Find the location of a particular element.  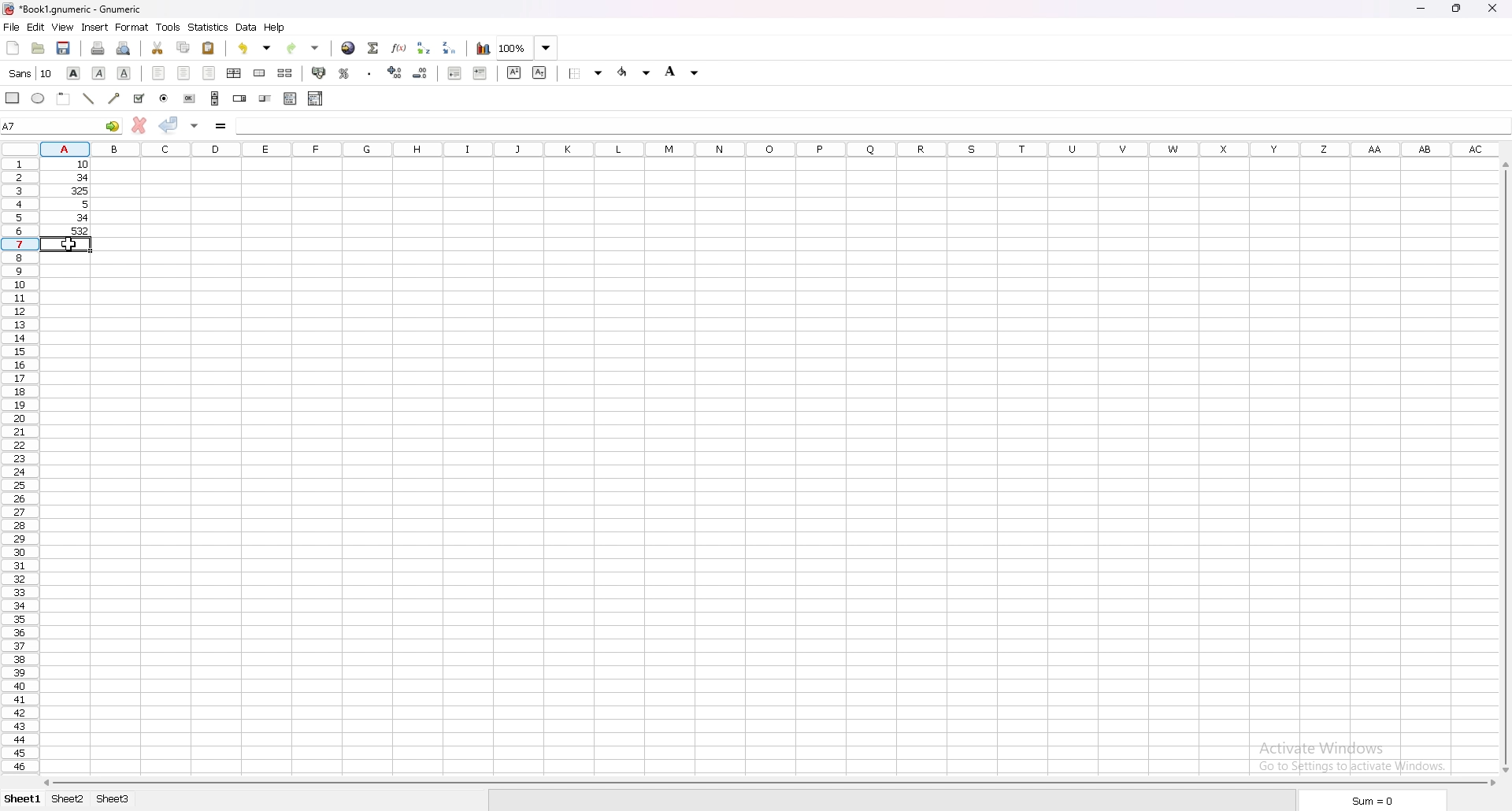

rows is located at coordinates (17, 468).